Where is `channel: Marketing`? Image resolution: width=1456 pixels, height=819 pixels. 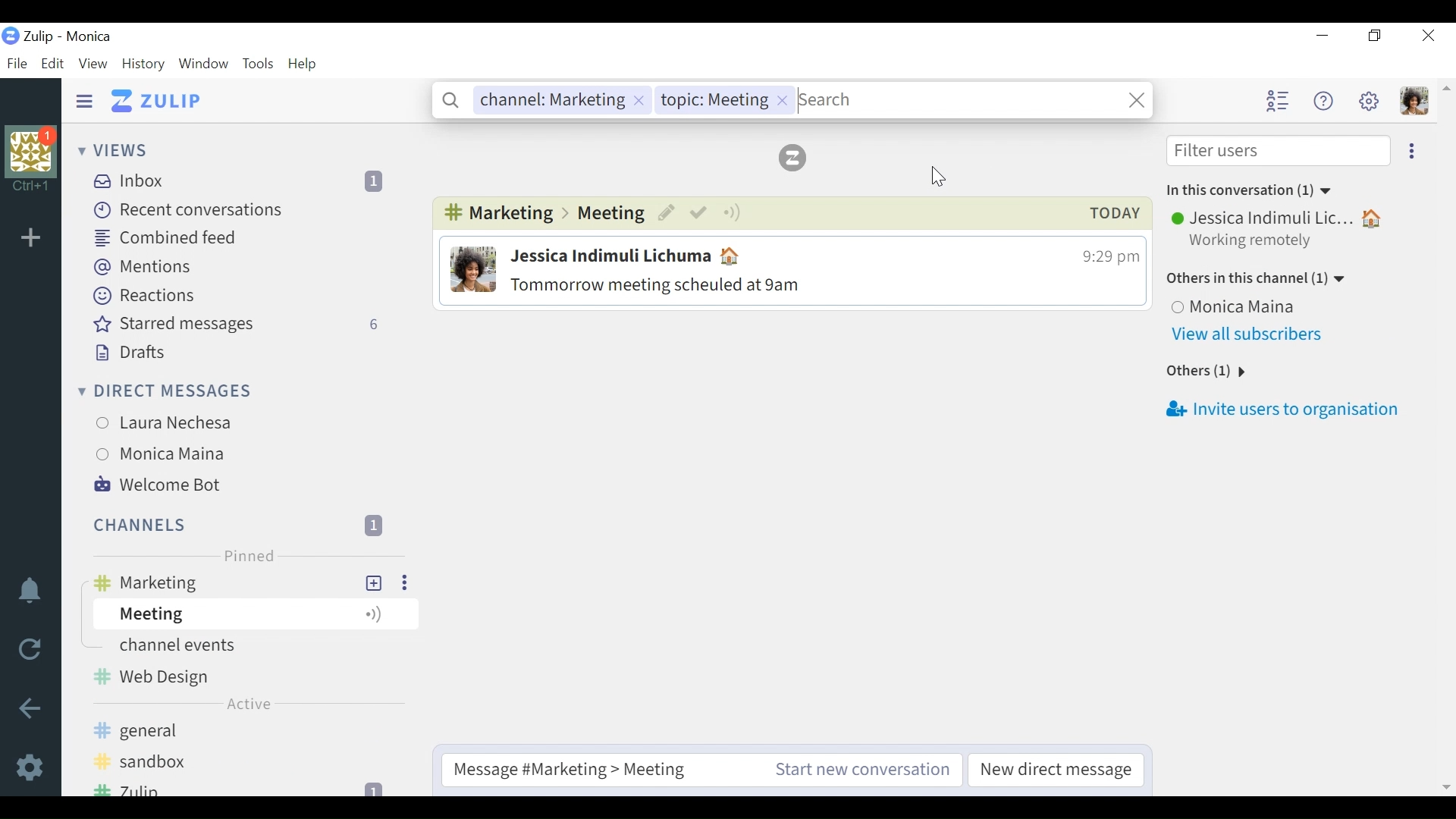
channel: Marketing is located at coordinates (560, 101).